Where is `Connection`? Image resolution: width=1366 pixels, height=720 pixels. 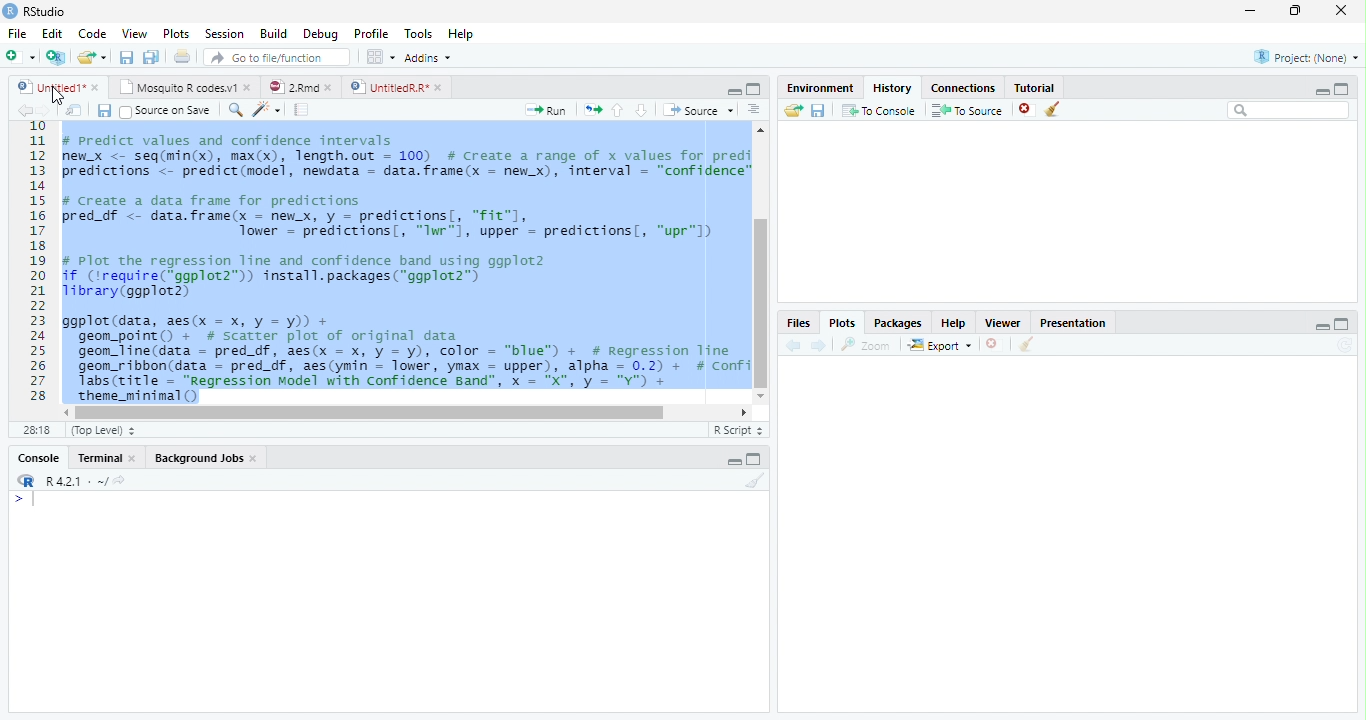
Connection is located at coordinates (963, 88).